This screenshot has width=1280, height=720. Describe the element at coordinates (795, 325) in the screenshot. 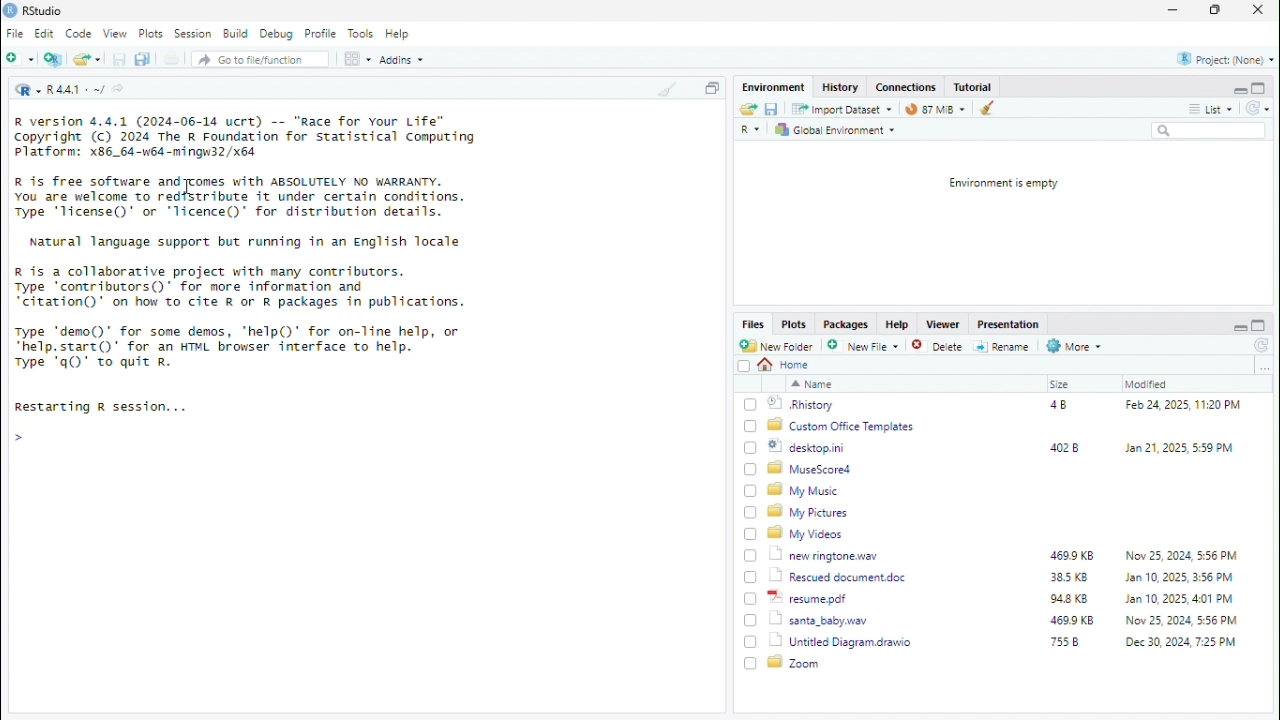

I see `Plots` at that location.